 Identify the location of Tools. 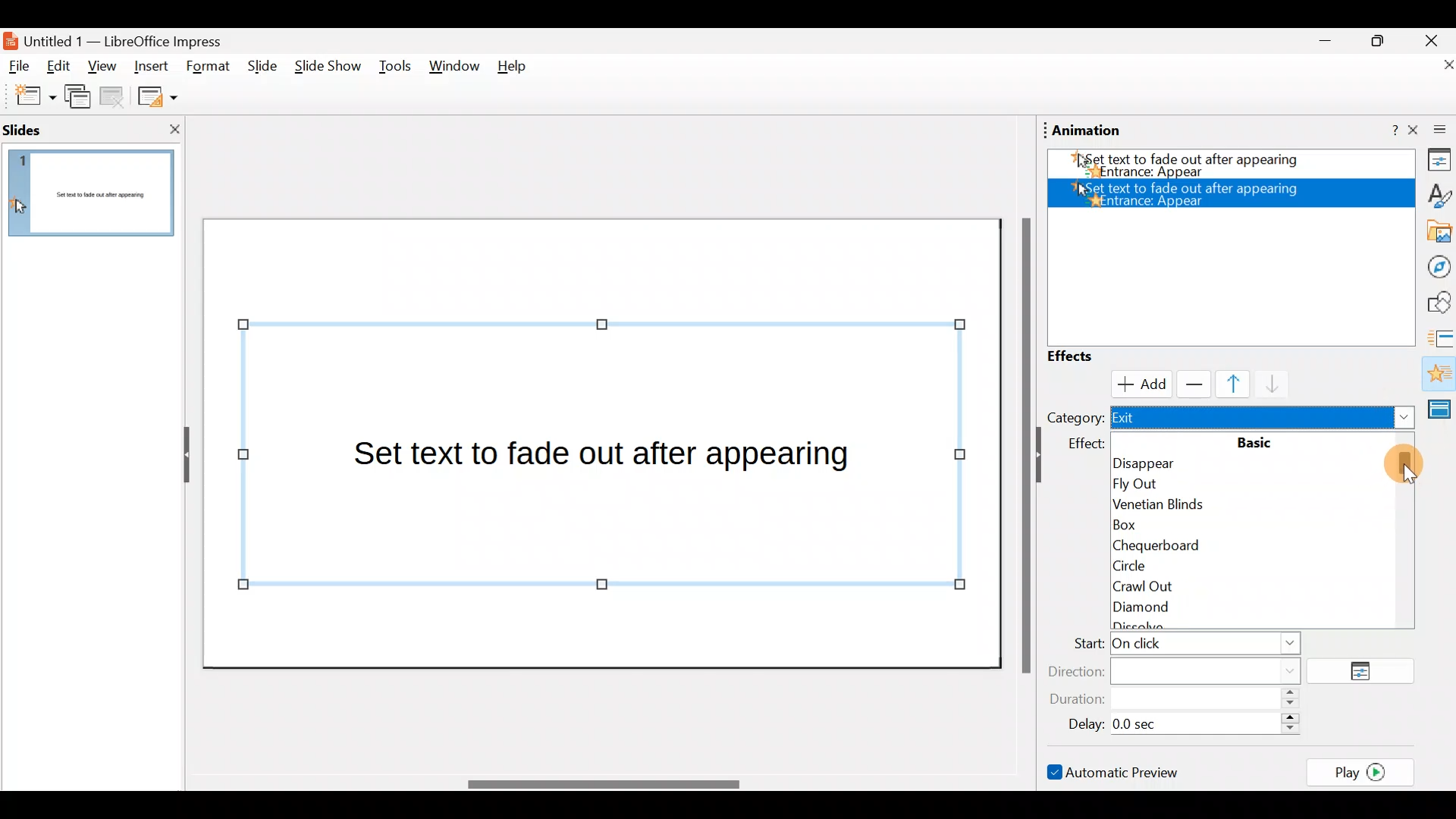
(395, 69).